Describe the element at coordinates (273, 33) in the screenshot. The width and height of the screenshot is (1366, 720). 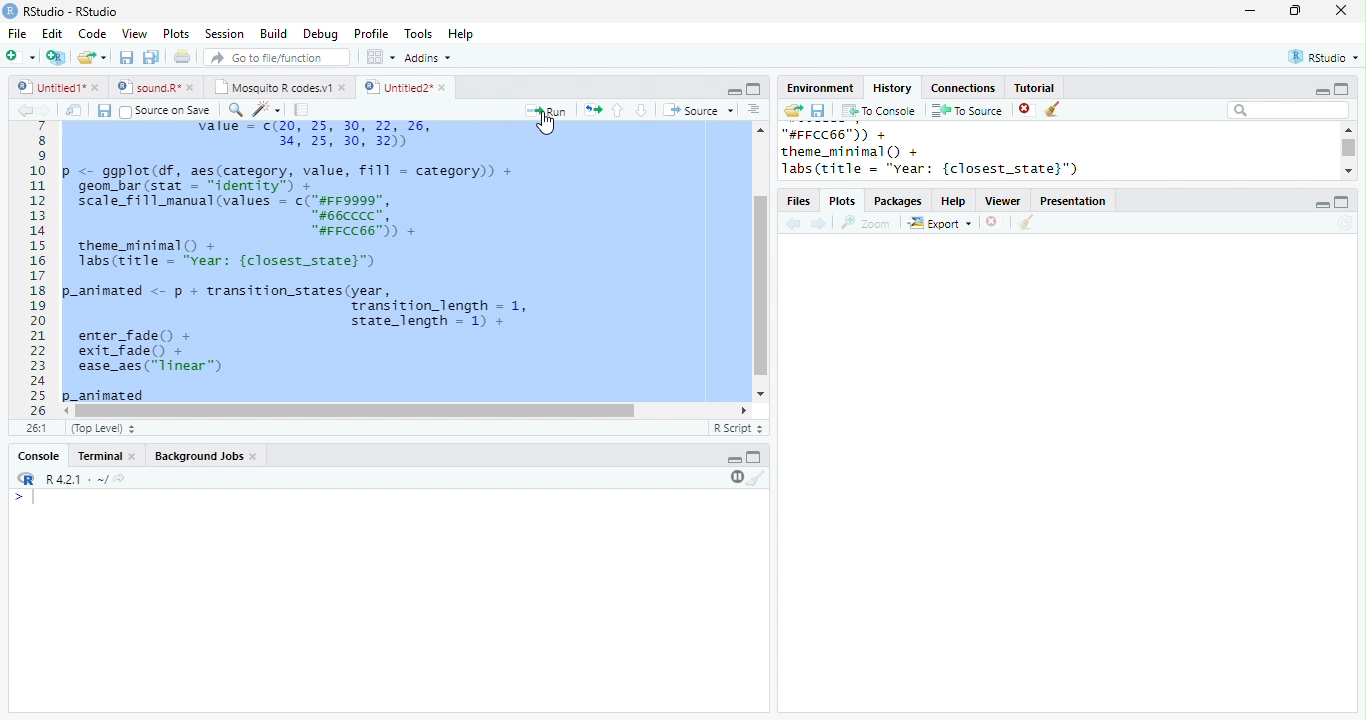
I see `Build` at that location.